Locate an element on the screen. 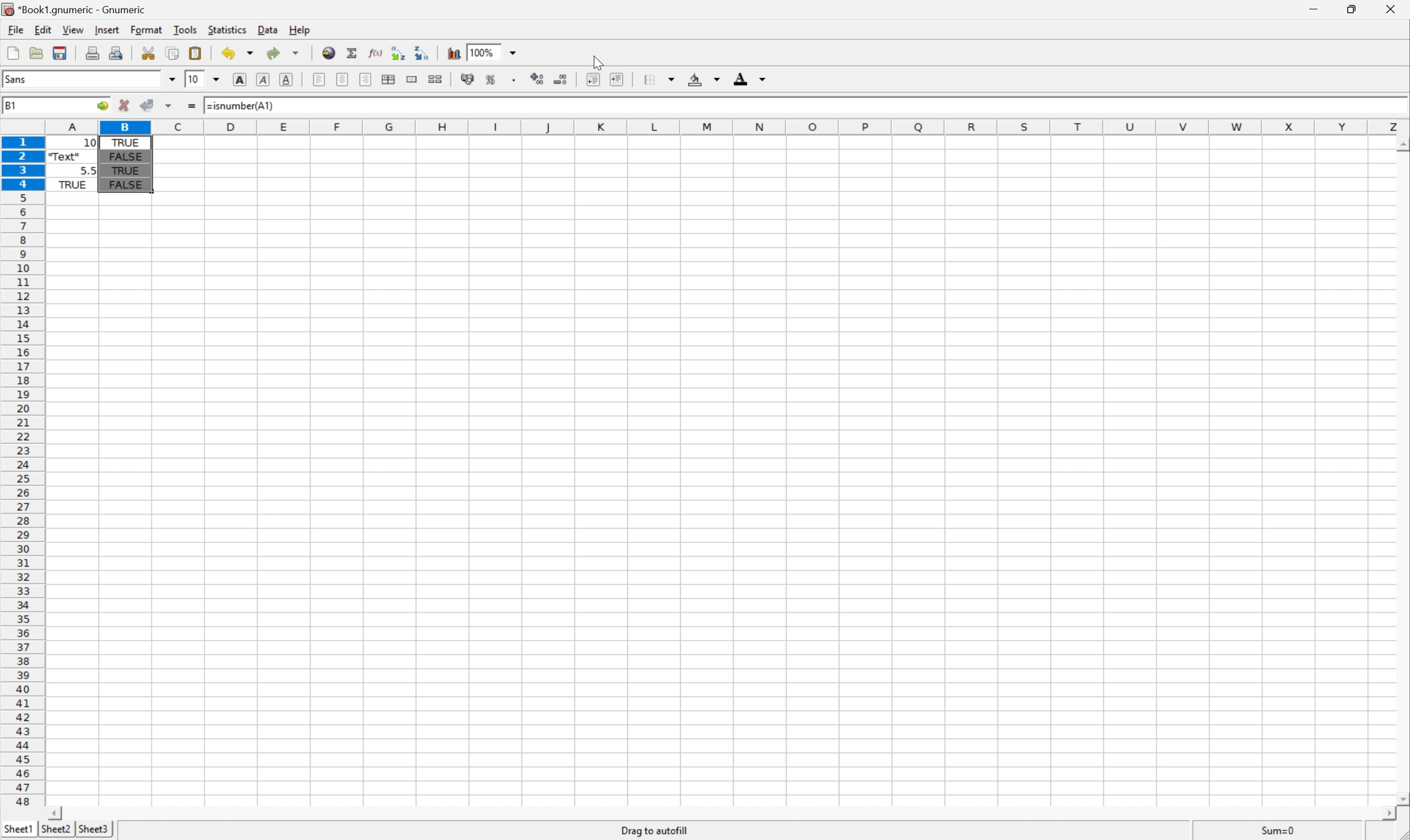 This screenshot has height=840, width=1410. *Book1.gnumeric - Gnumeric is located at coordinates (77, 8).